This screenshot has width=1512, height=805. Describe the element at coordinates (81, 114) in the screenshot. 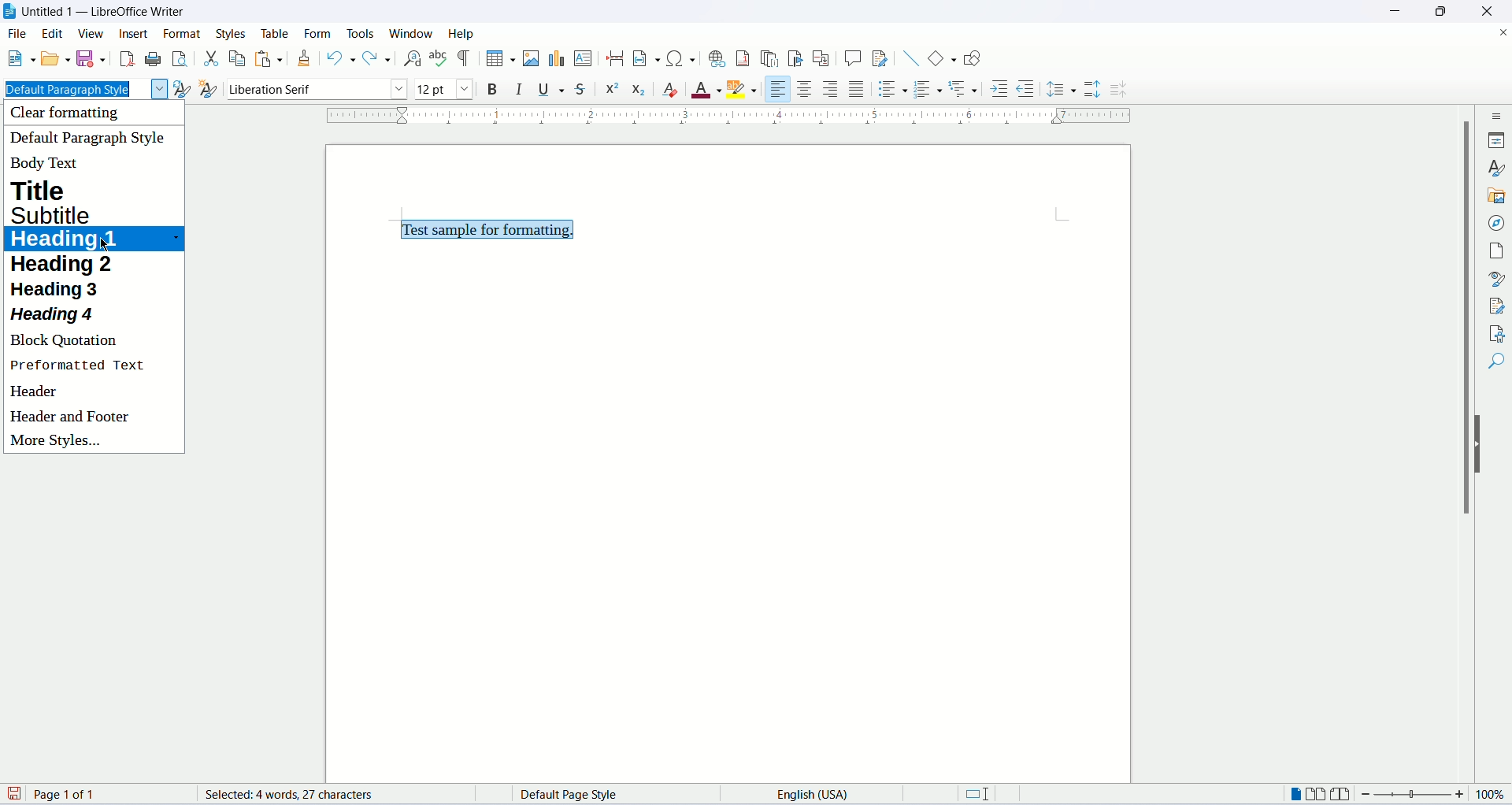

I see `clear formatting` at that location.